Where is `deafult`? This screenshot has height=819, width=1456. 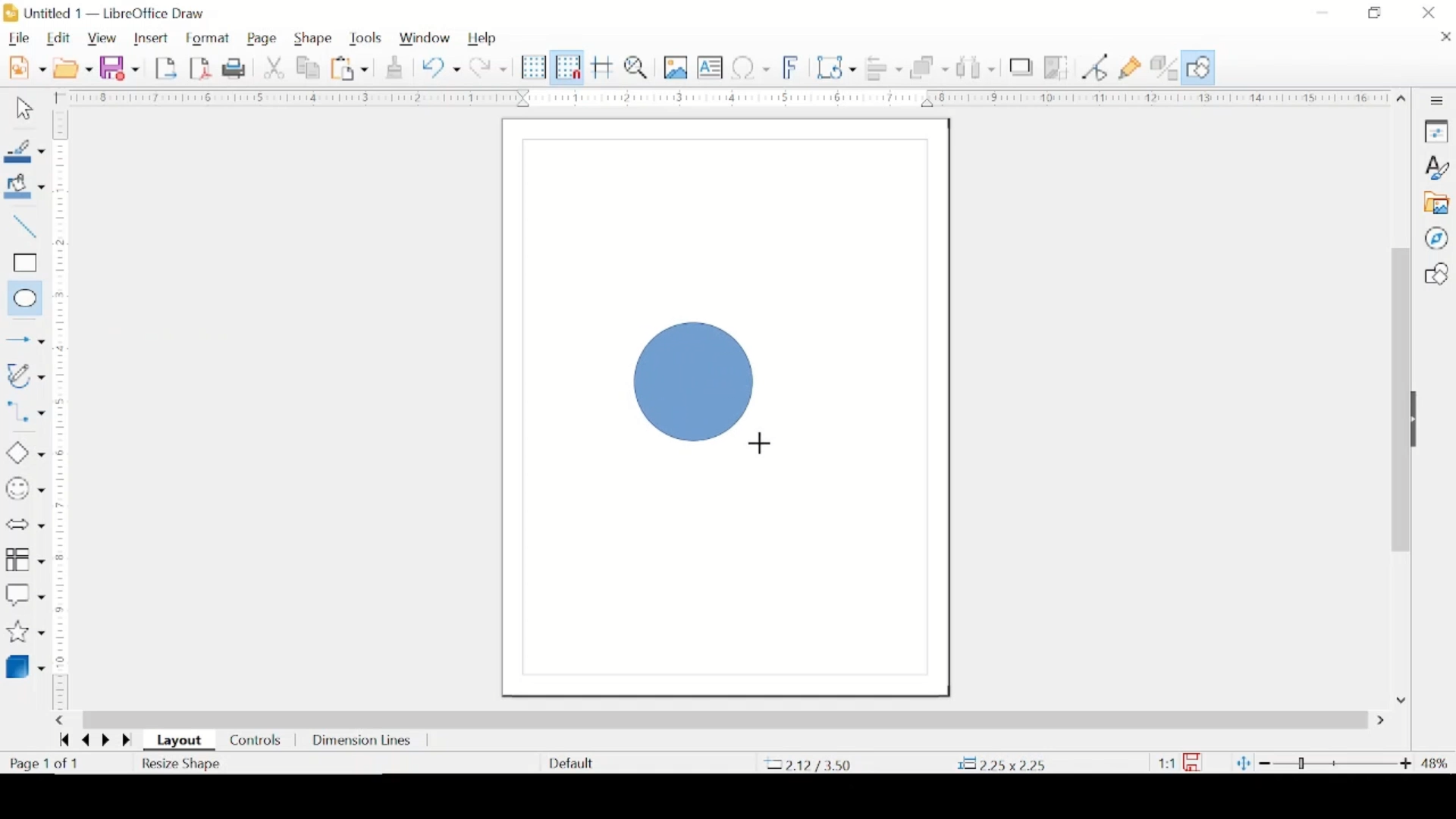
deafult is located at coordinates (569, 764).